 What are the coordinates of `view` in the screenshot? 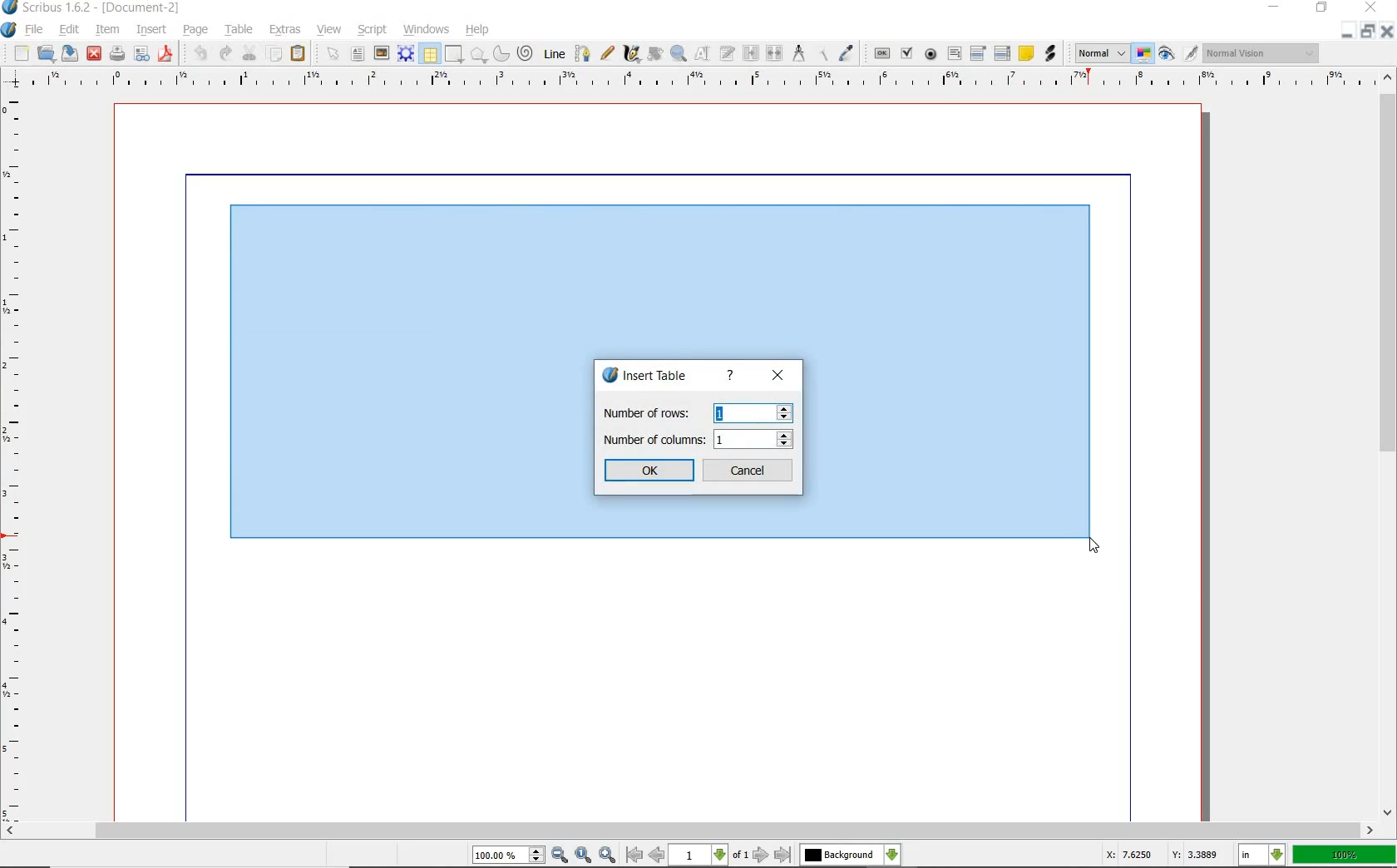 It's located at (329, 32).